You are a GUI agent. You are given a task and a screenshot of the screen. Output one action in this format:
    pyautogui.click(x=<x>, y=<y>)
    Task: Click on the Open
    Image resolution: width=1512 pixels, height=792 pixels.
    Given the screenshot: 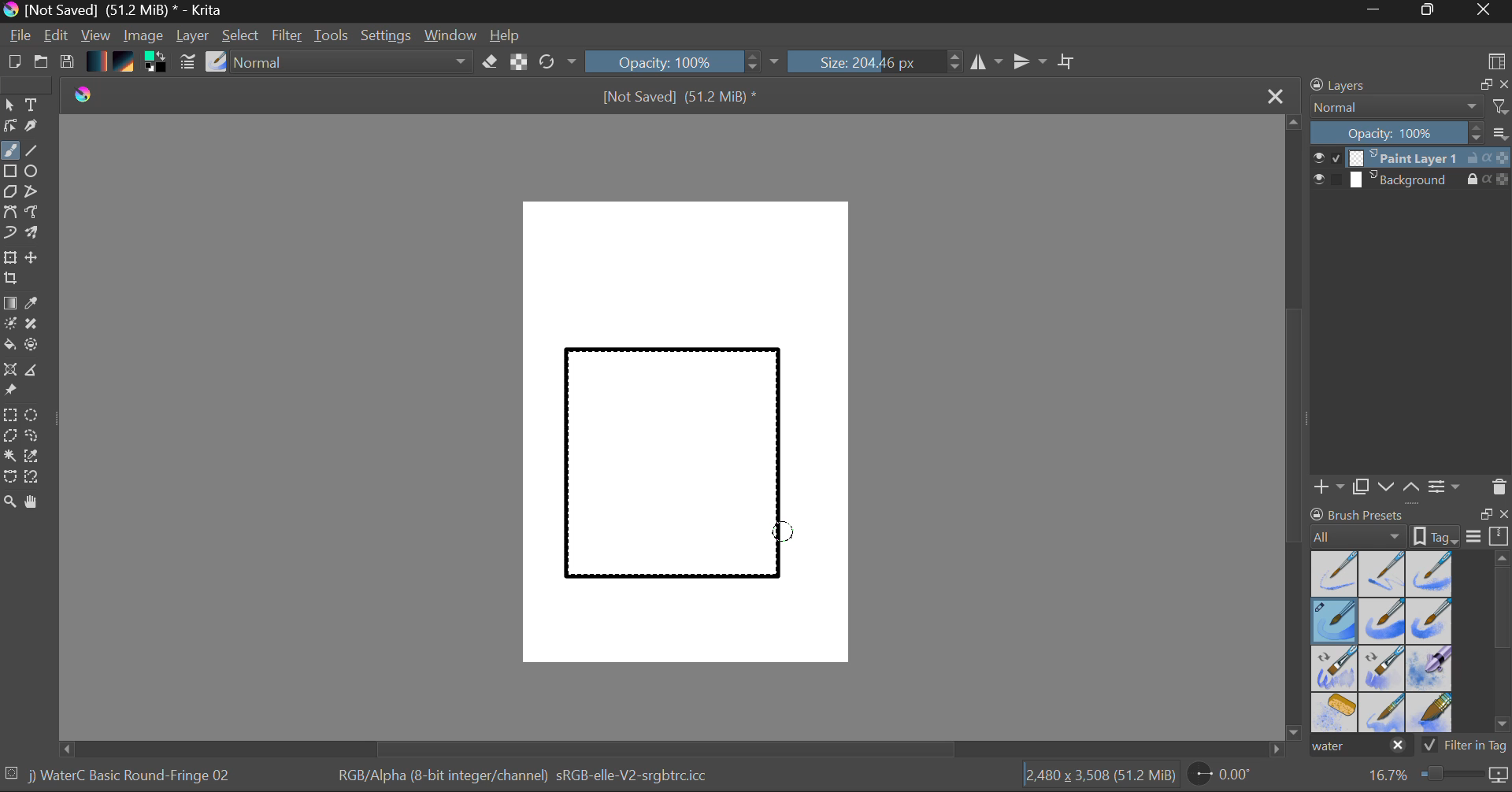 What is the action you would take?
    pyautogui.click(x=43, y=64)
    